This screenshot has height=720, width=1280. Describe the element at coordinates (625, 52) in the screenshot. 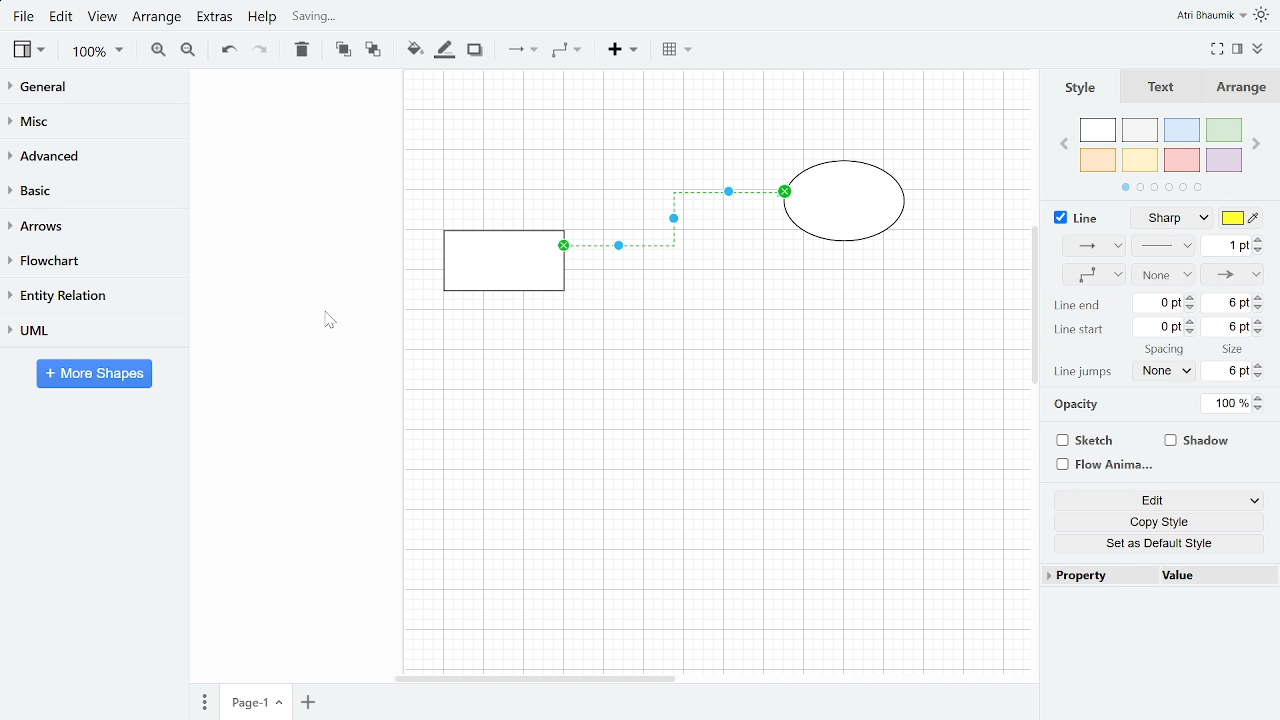

I see `Insert` at that location.